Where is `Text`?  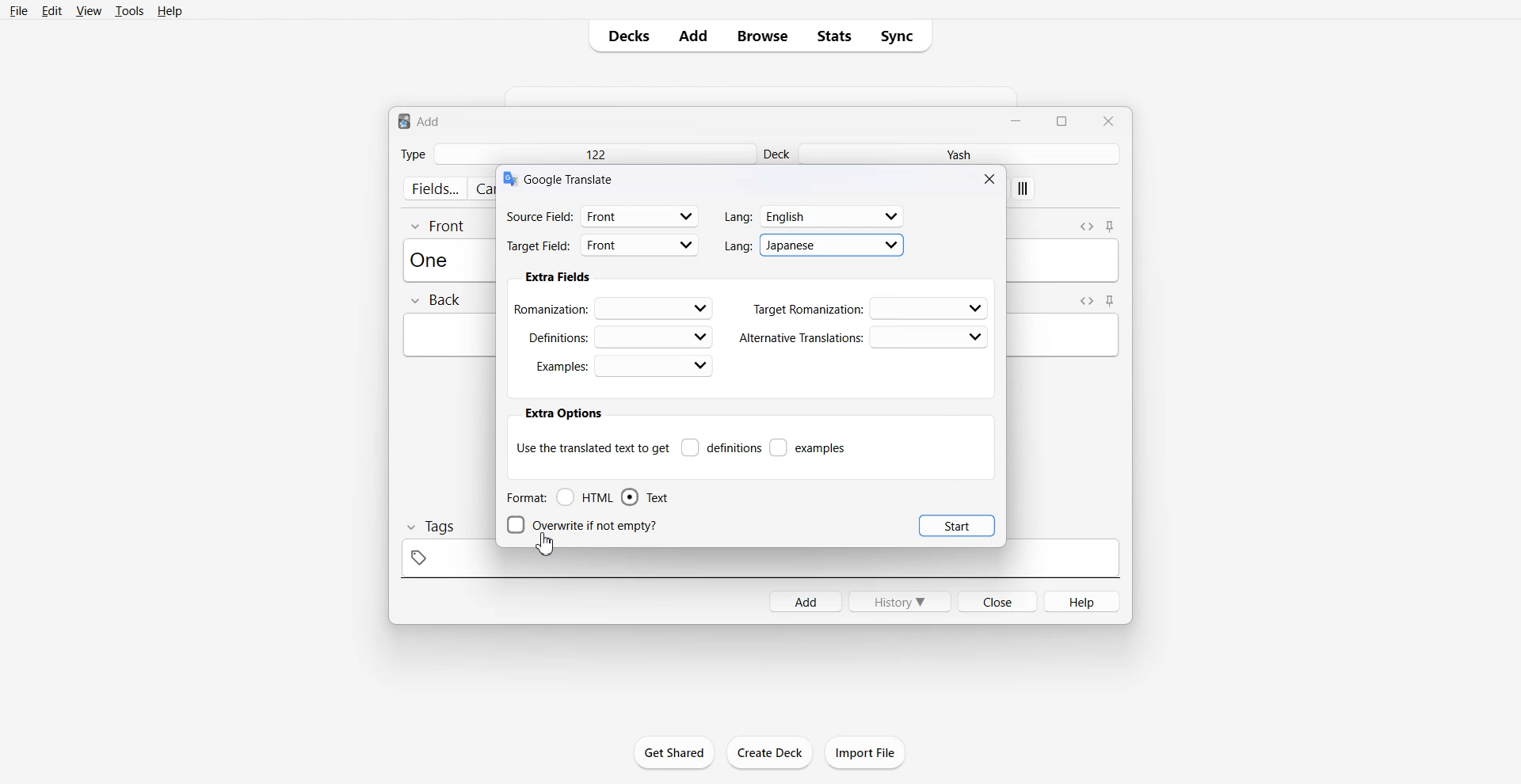 Text is located at coordinates (420, 120).